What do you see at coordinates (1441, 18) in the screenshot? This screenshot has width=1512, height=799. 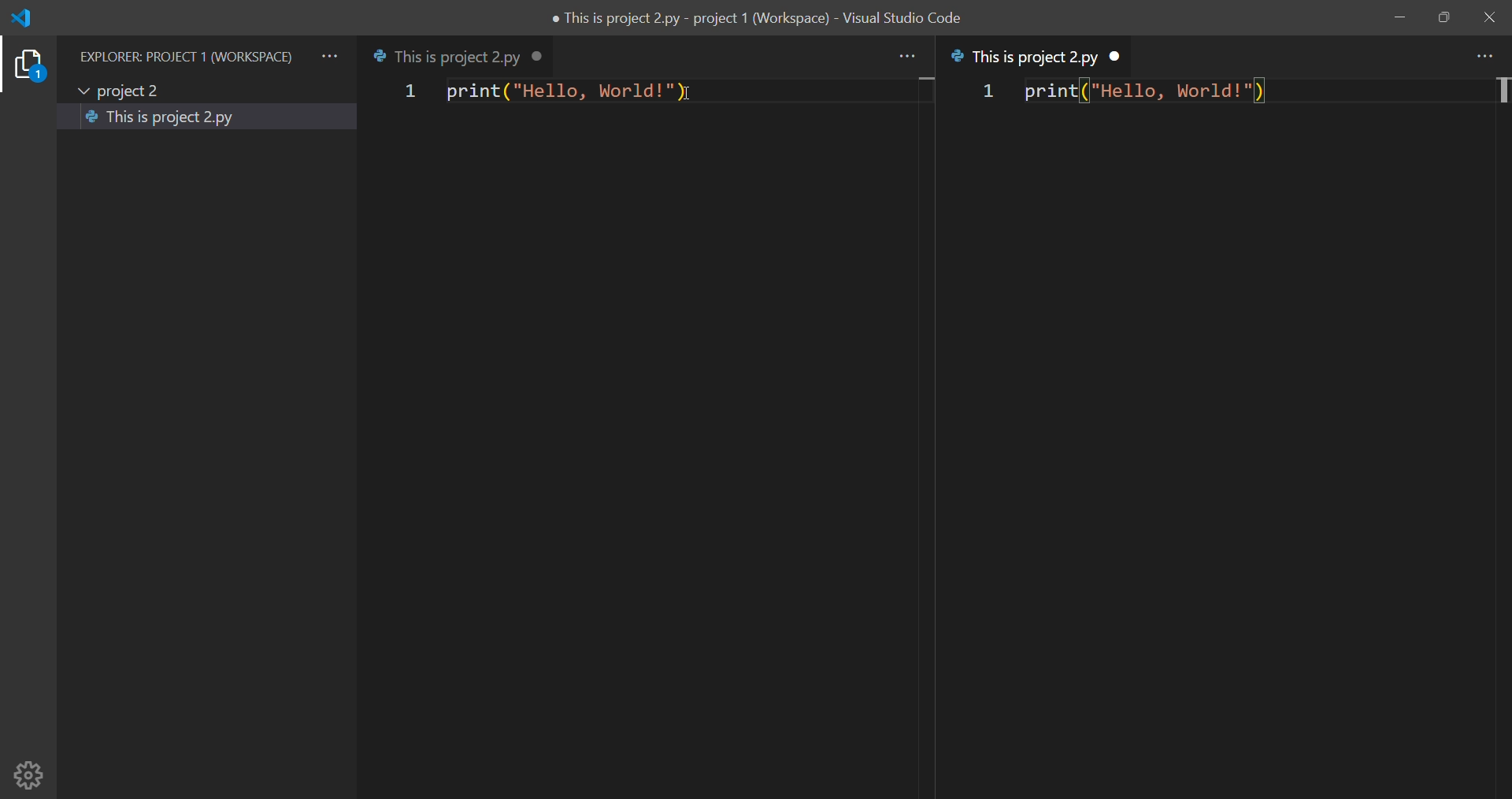 I see `maximize` at bounding box center [1441, 18].